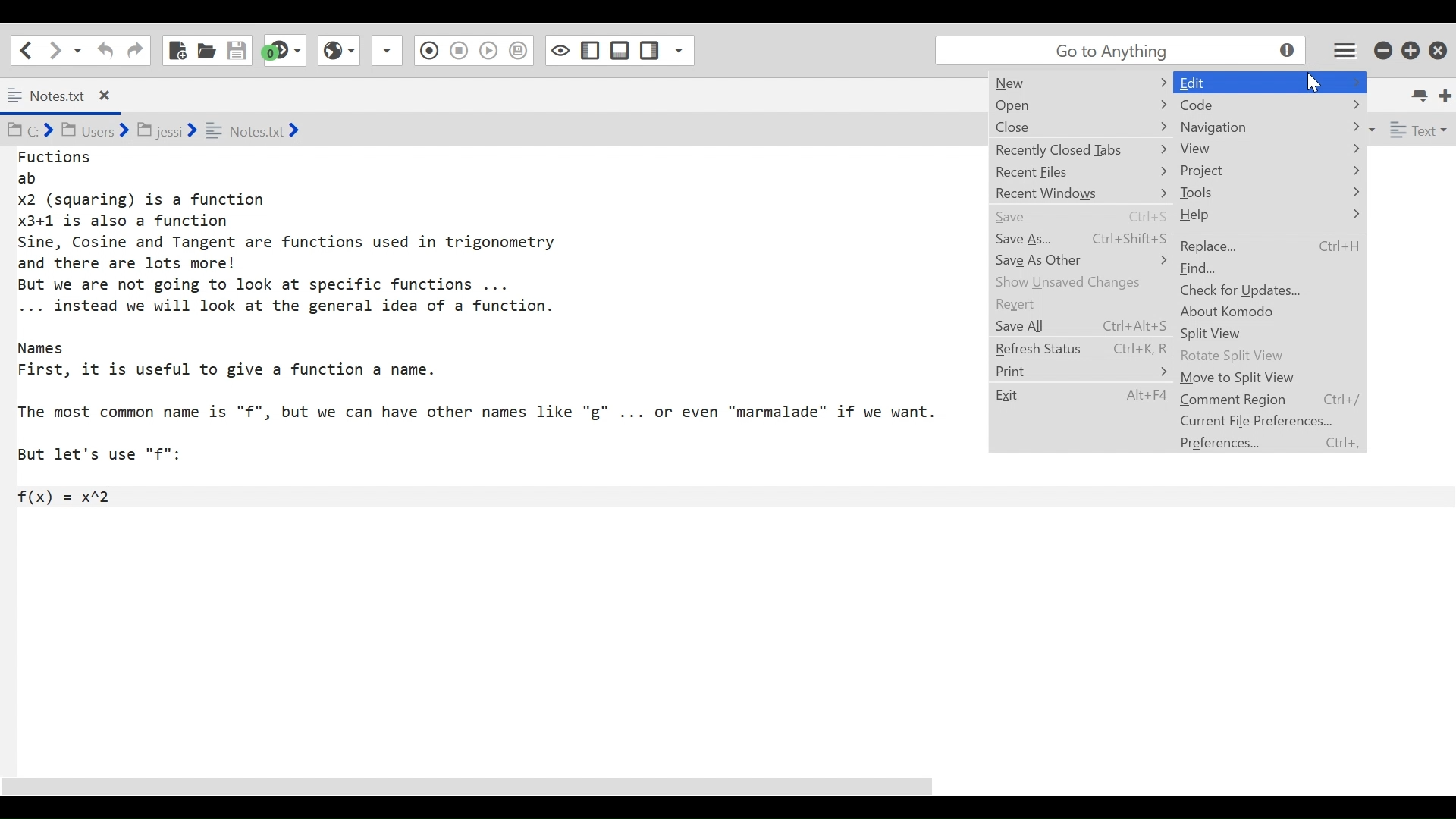 The image size is (1456, 819). What do you see at coordinates (284, 50) in the screenshot?
I see `Jump to next syntax checking result` at bounding box center [284, 50].